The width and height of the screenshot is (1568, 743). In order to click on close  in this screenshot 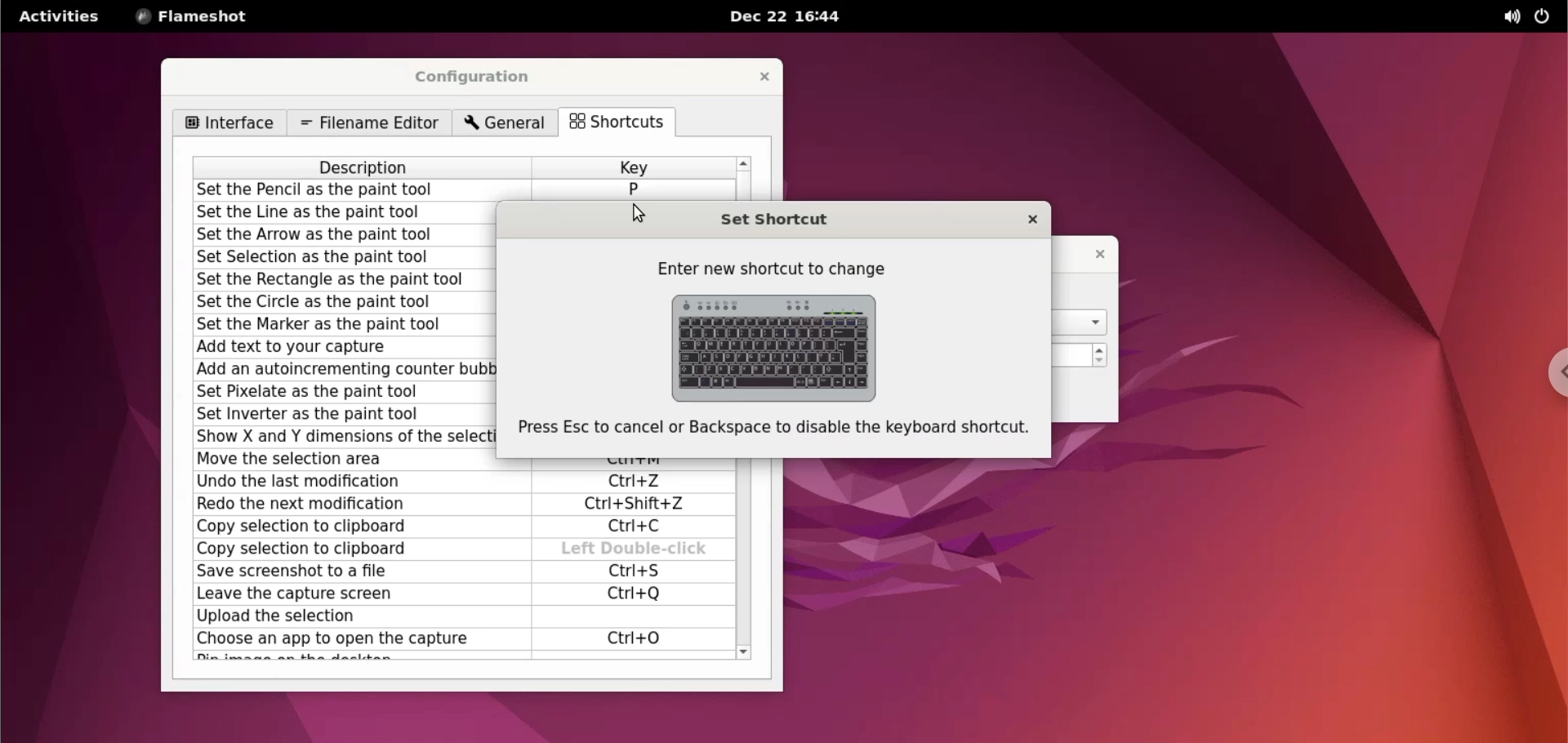, I will do `click(1027, 221)`.